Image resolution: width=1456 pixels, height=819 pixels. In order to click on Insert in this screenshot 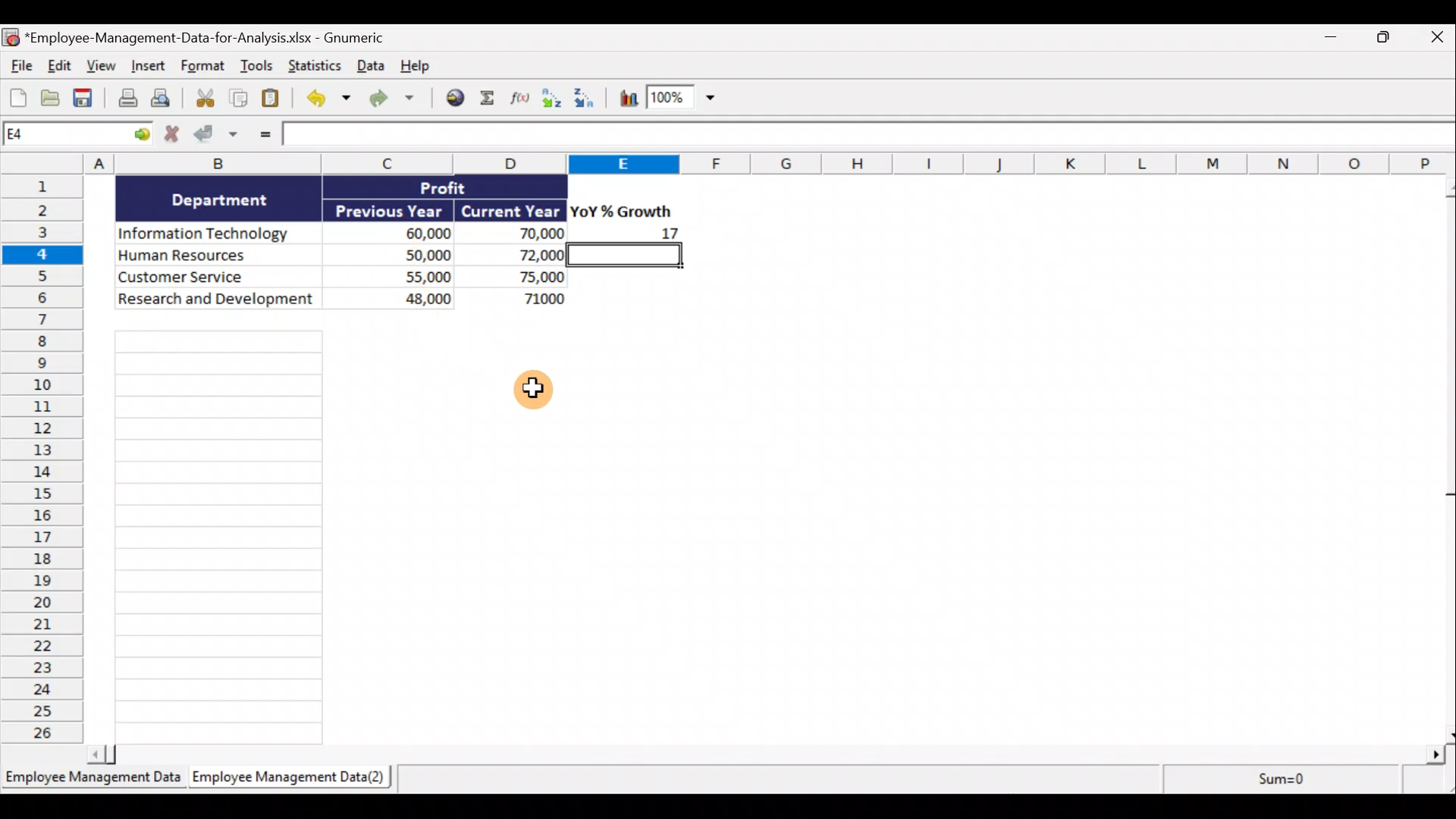, I will do `click(146, 67)`.